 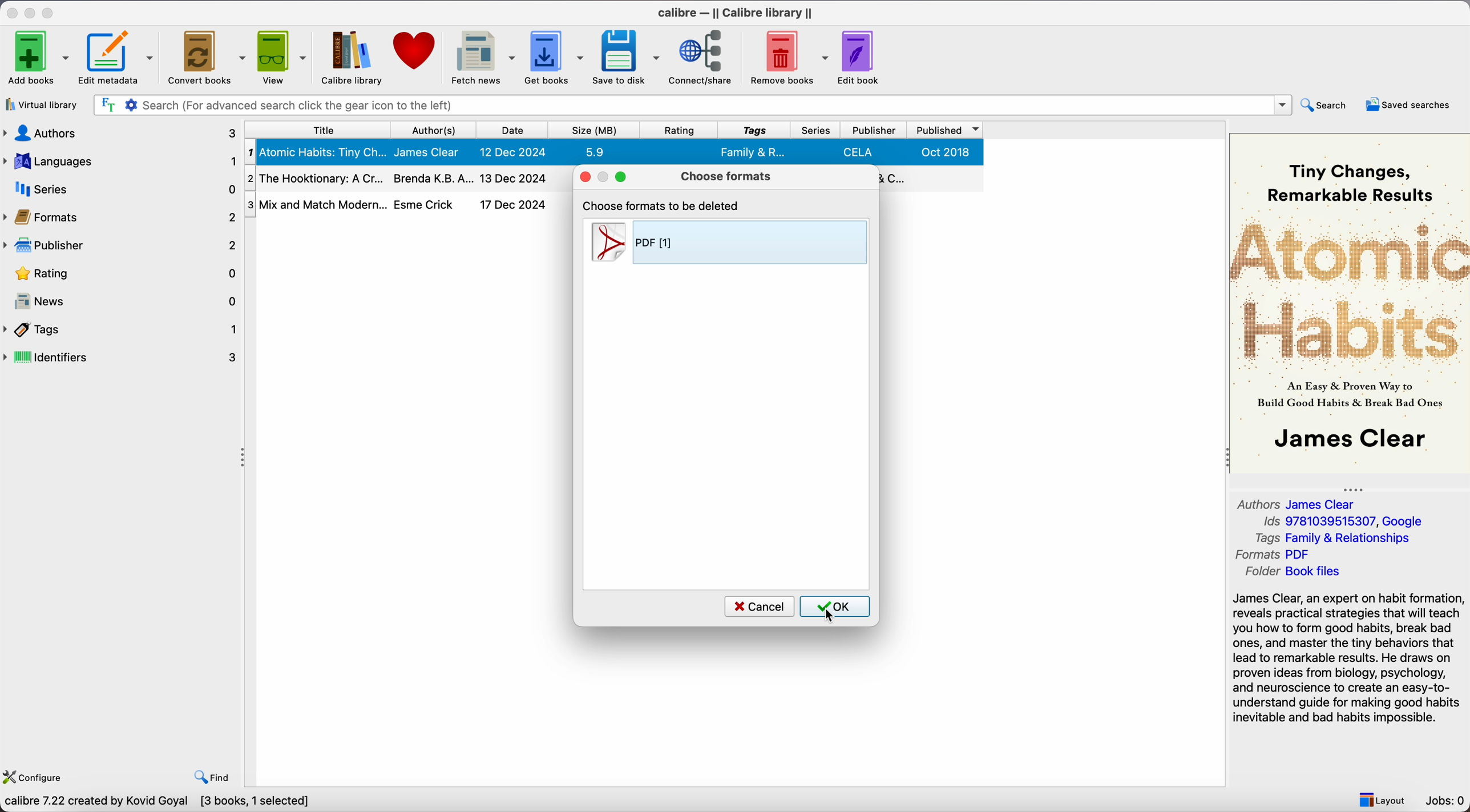 What do you see at coordinates (119, 189) in the screenshot?
I see `series` at bounding box center [119, 189].